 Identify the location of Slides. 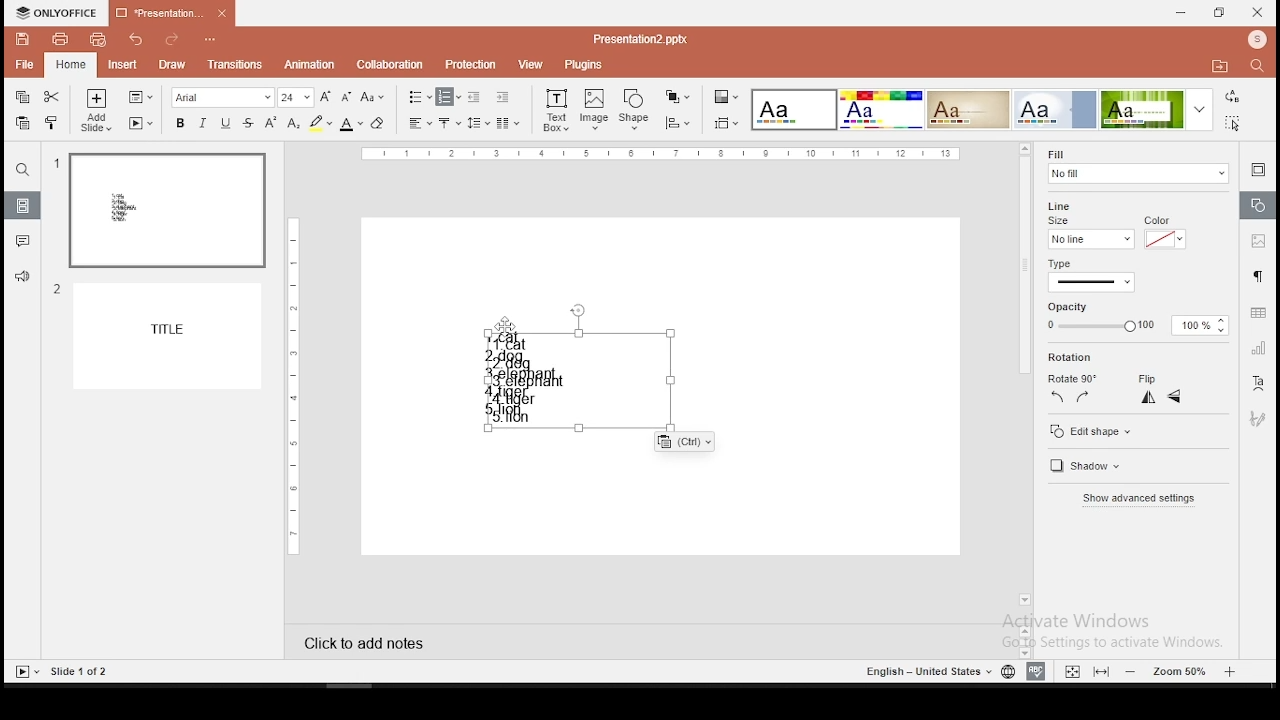
(62, 671).